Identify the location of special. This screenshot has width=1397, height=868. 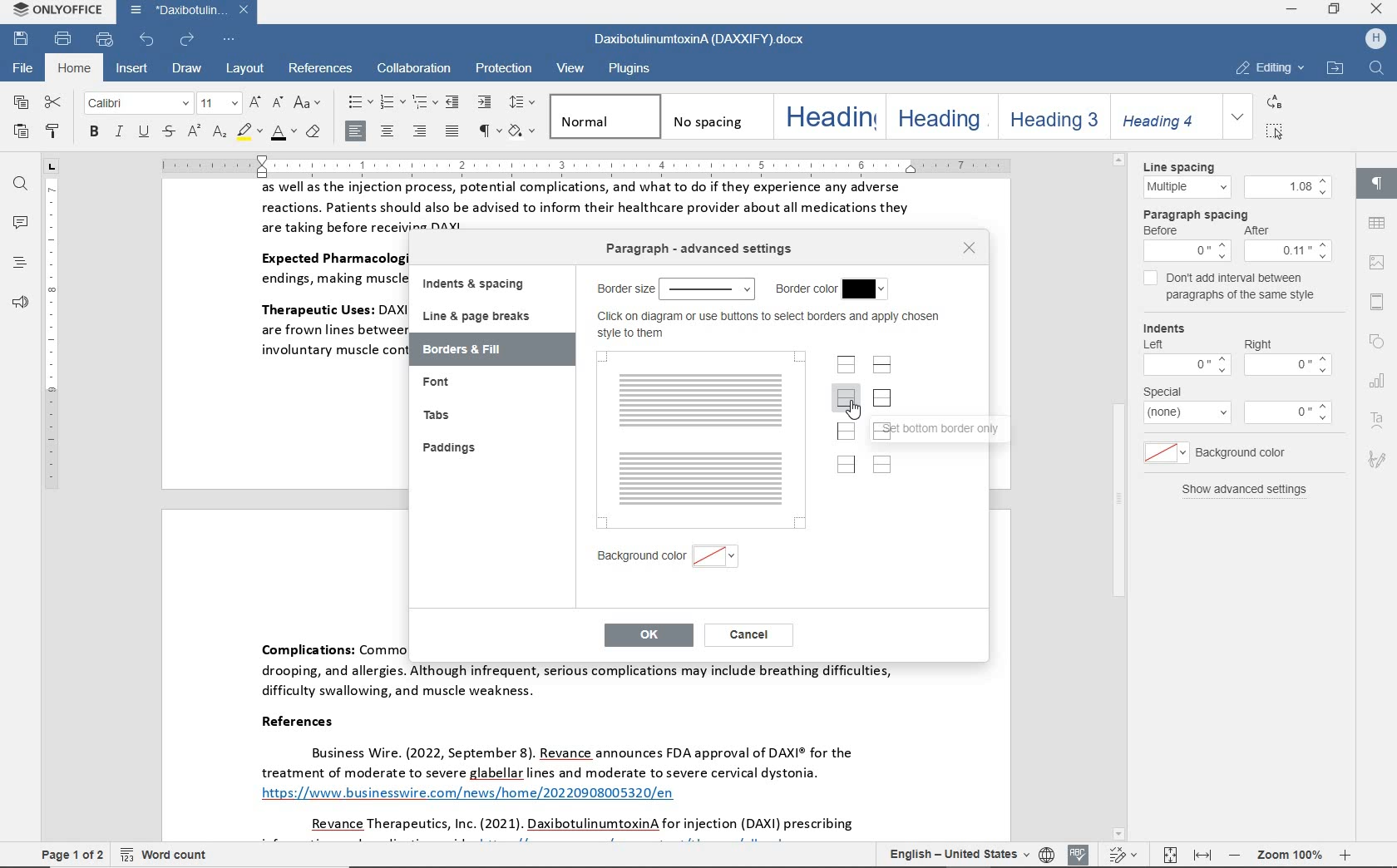
(1238, 406).